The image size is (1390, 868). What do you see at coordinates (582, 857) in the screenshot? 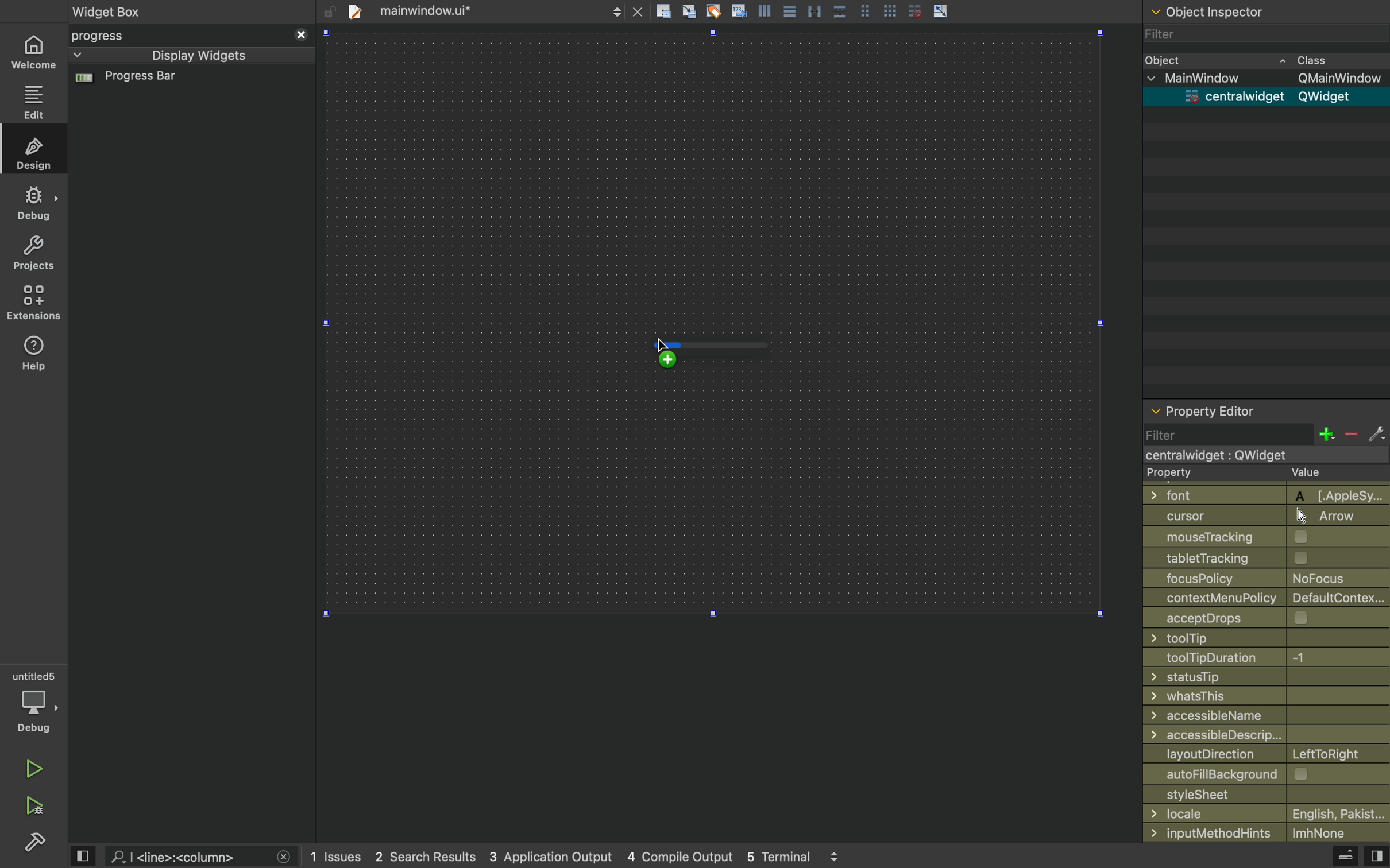
I see `logs` at bounding box center [582, 857].